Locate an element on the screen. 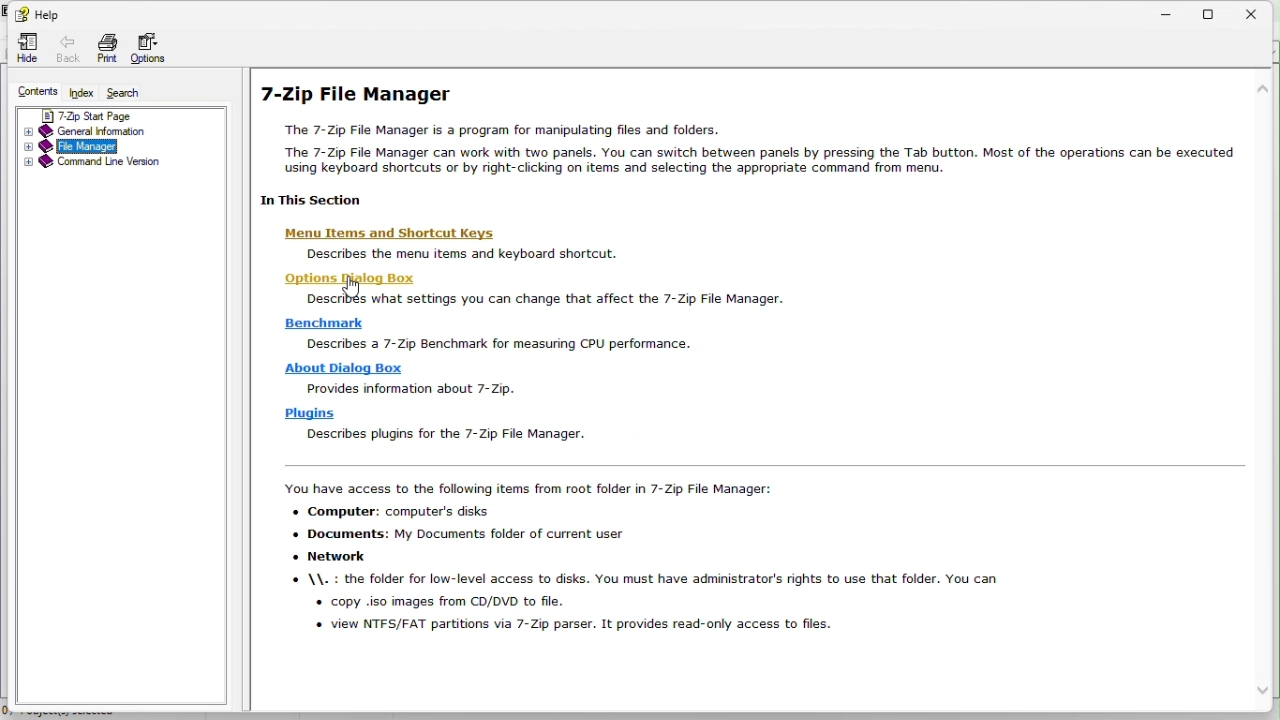  about dialog box is located at coordinates (345, 369).